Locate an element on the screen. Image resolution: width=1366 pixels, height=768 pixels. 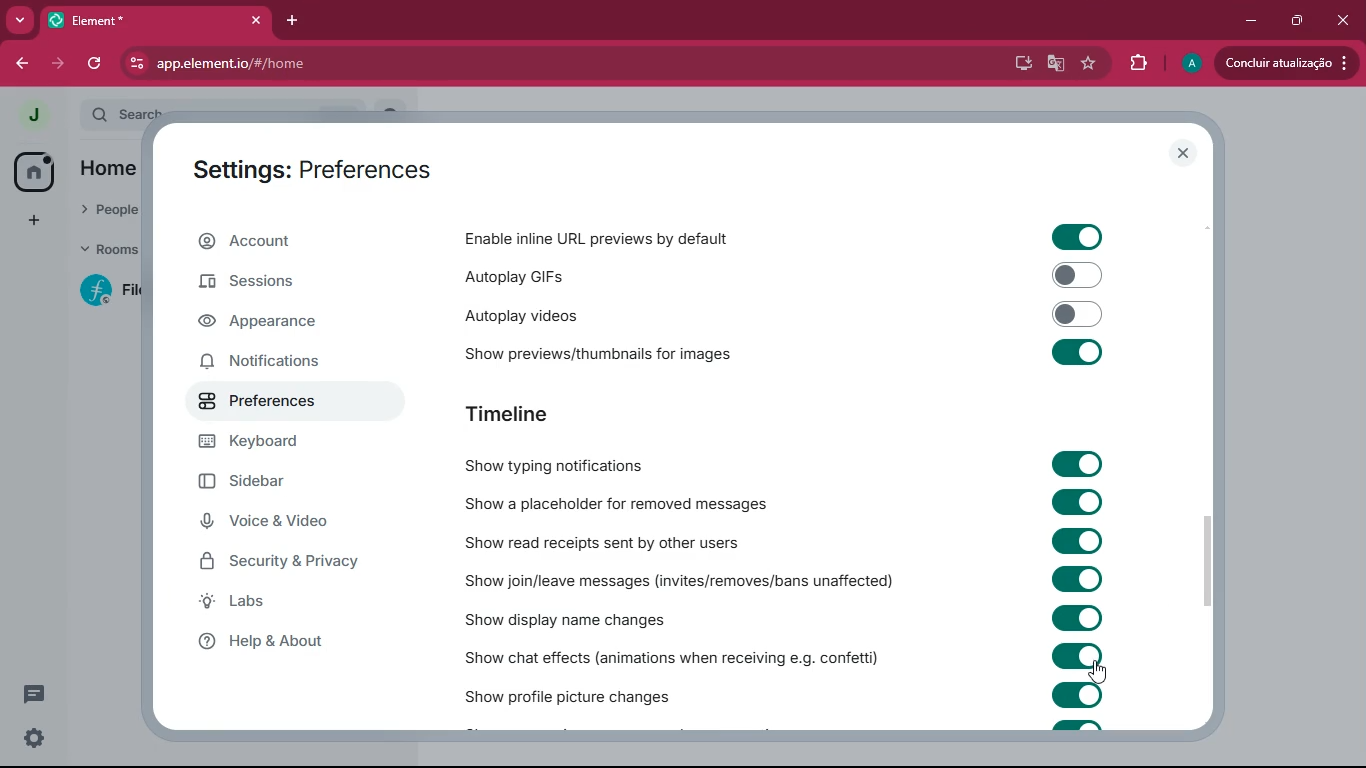
show previews/thumbnails for images is located at coordinates (616, 350).